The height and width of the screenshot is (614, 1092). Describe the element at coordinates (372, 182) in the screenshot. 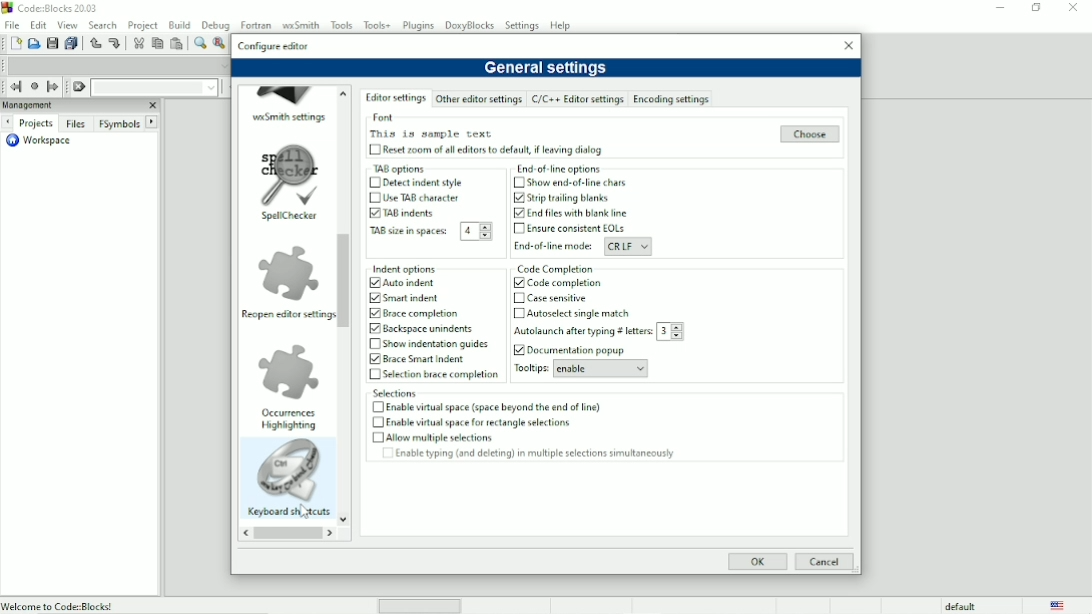

I see `` at that location.